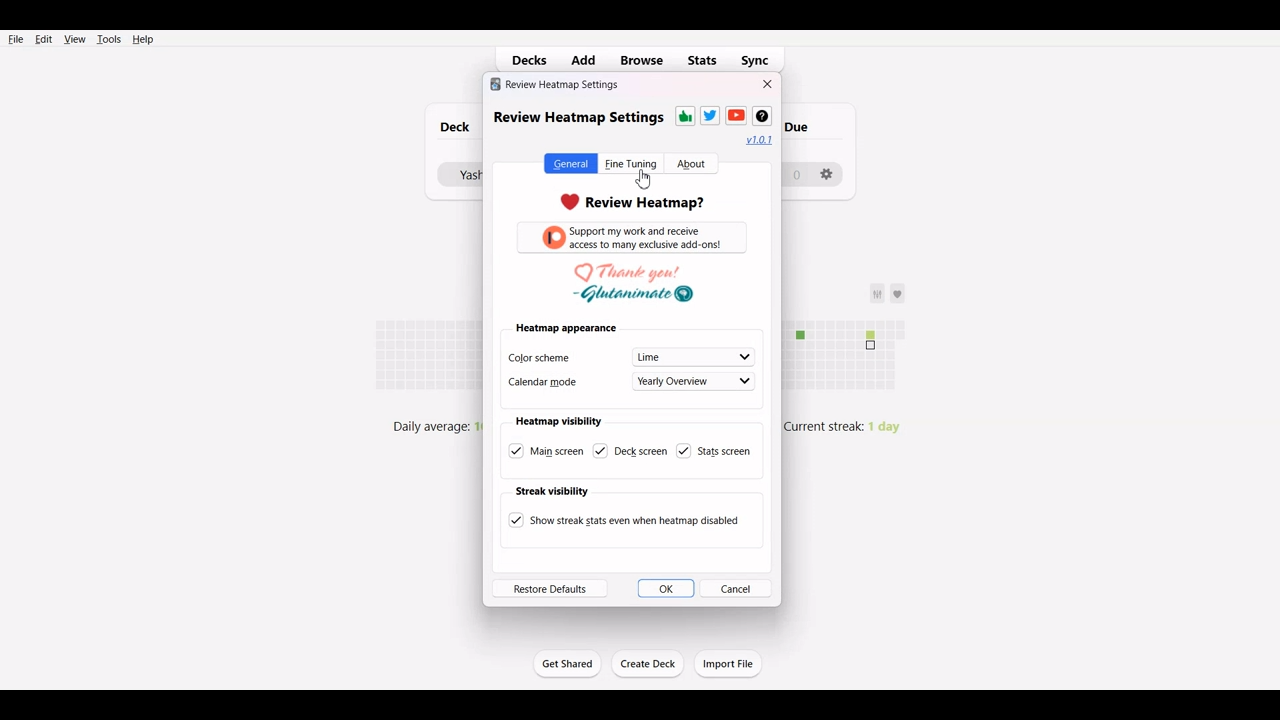  I want to click on line, so click(693, 355).